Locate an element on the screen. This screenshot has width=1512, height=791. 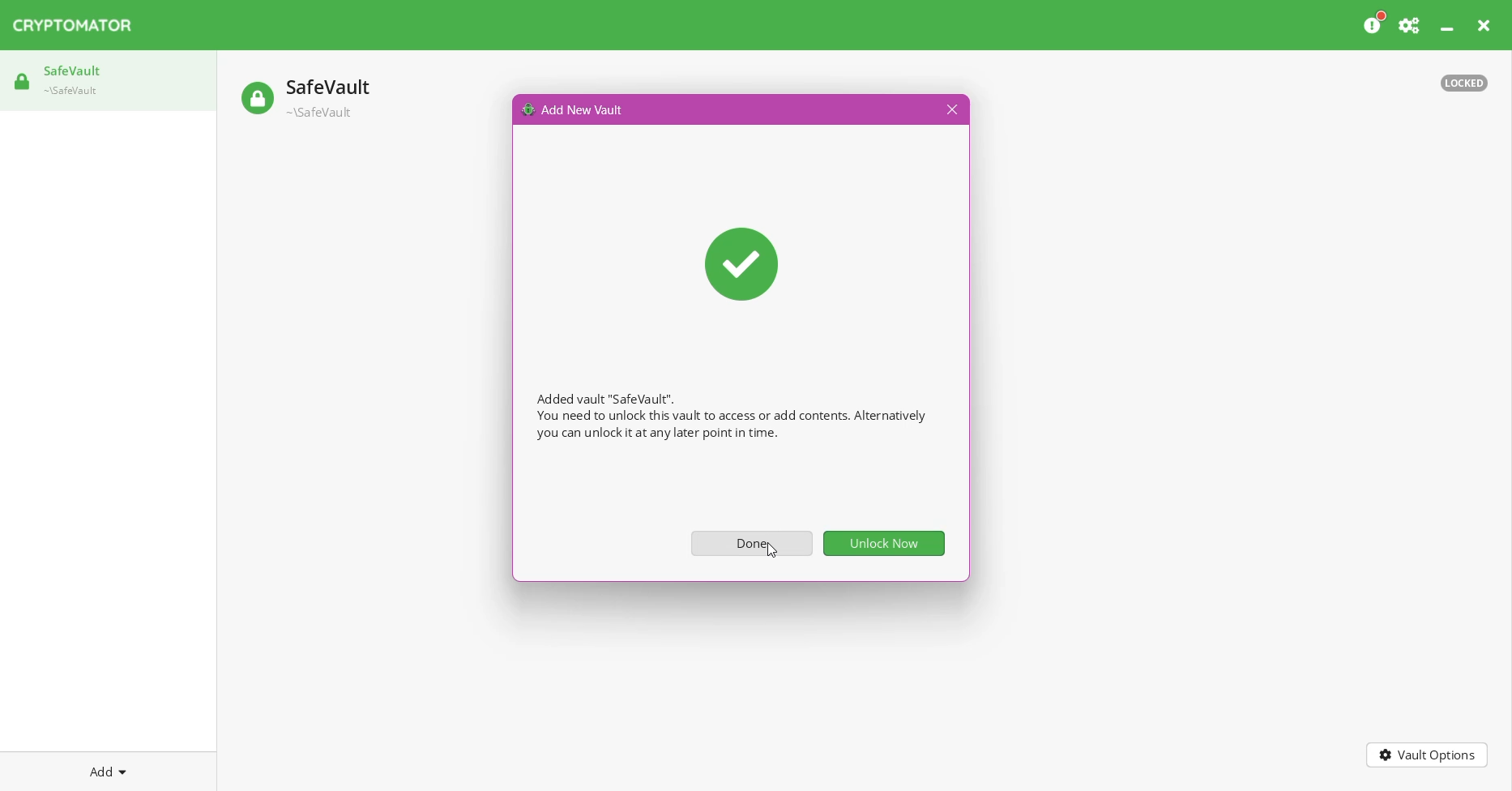
CRYPTOMATOR Application Name is located at coordinates (80, 25).